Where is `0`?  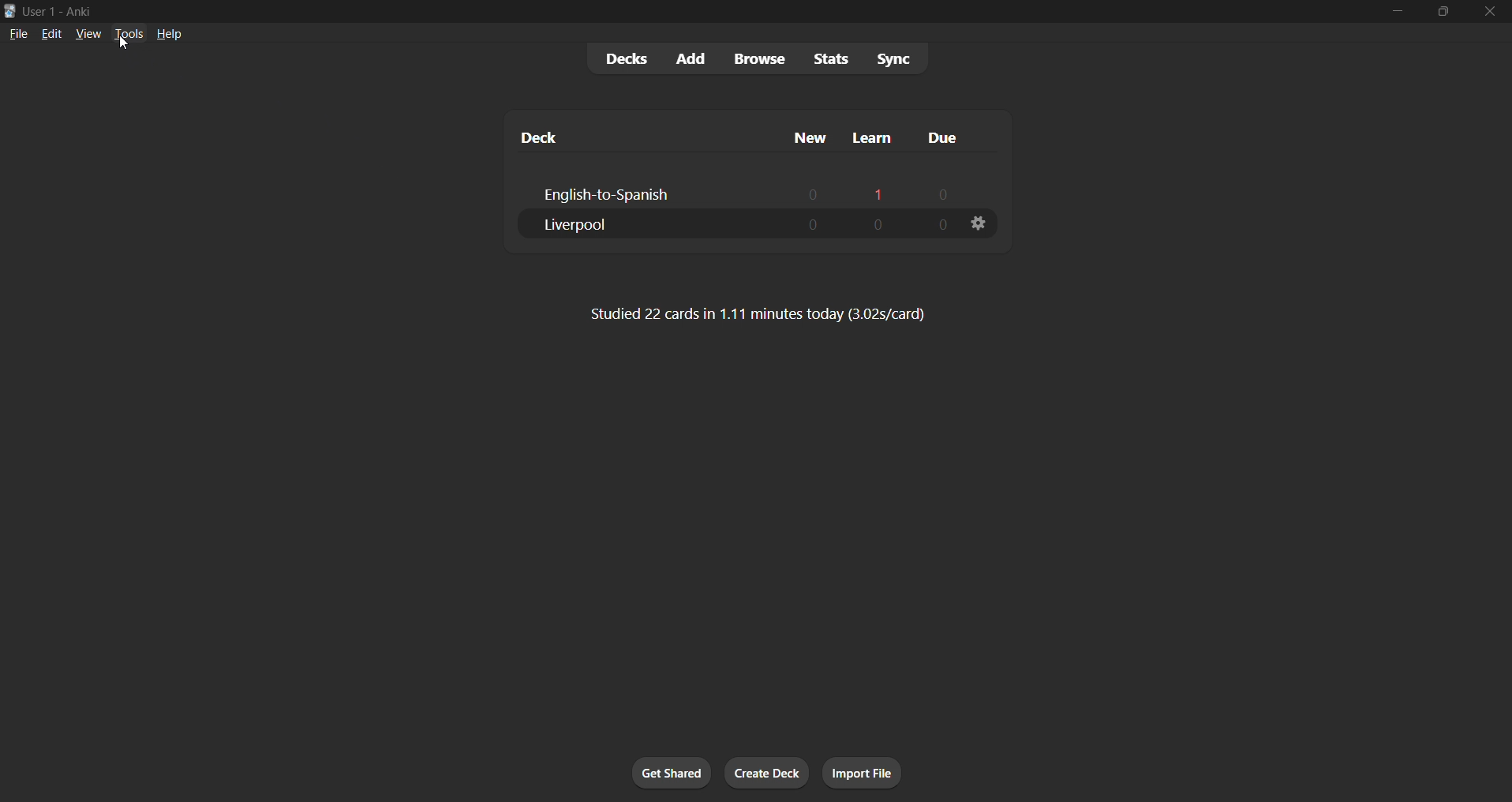 0 is located at coordinates (806, 189).